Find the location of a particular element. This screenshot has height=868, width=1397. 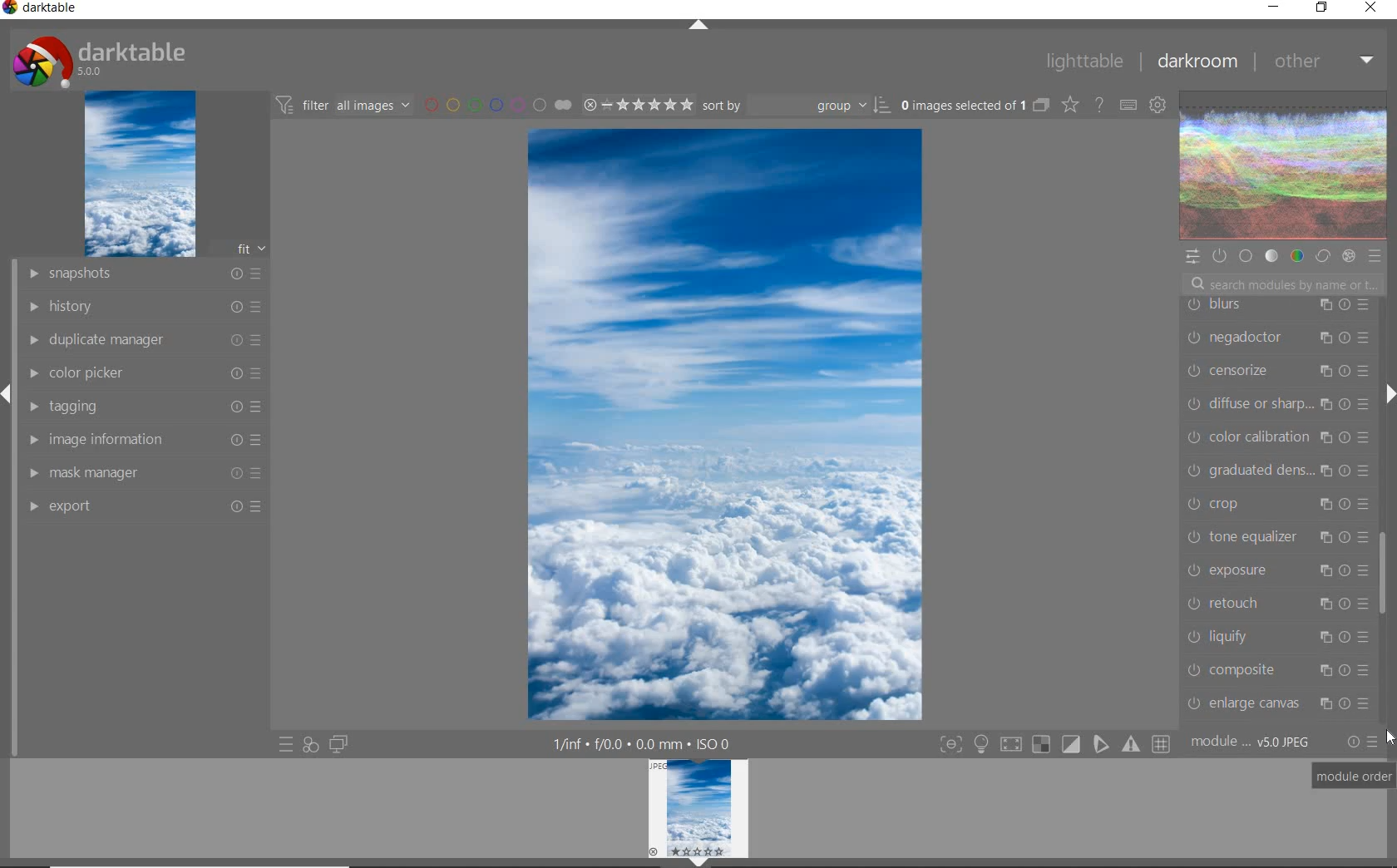

FILTER BY IMAGE COLOR LABEL is located at coordinates (496, 104).